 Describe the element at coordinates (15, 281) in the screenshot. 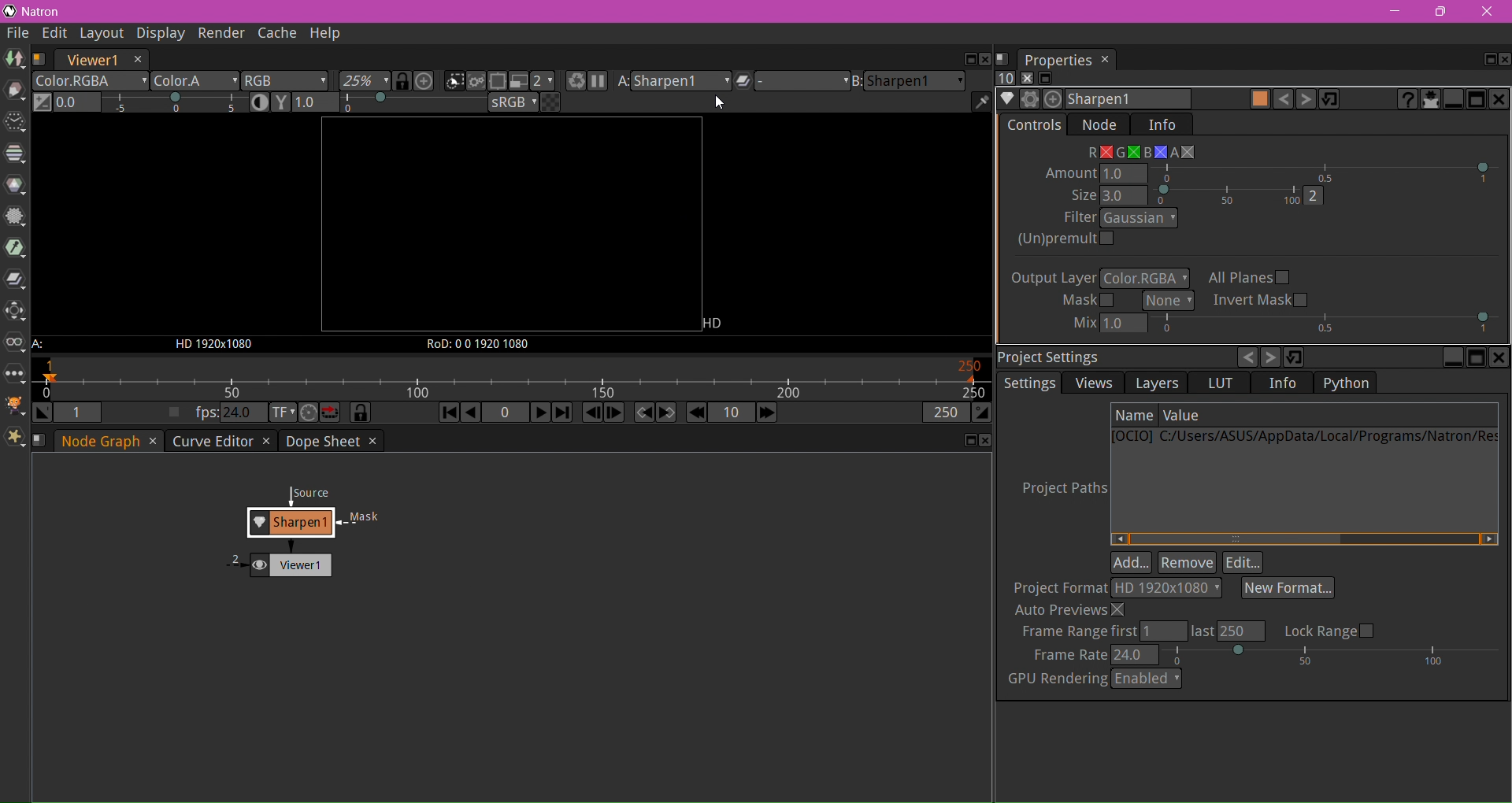

I see `Merge` at that location.